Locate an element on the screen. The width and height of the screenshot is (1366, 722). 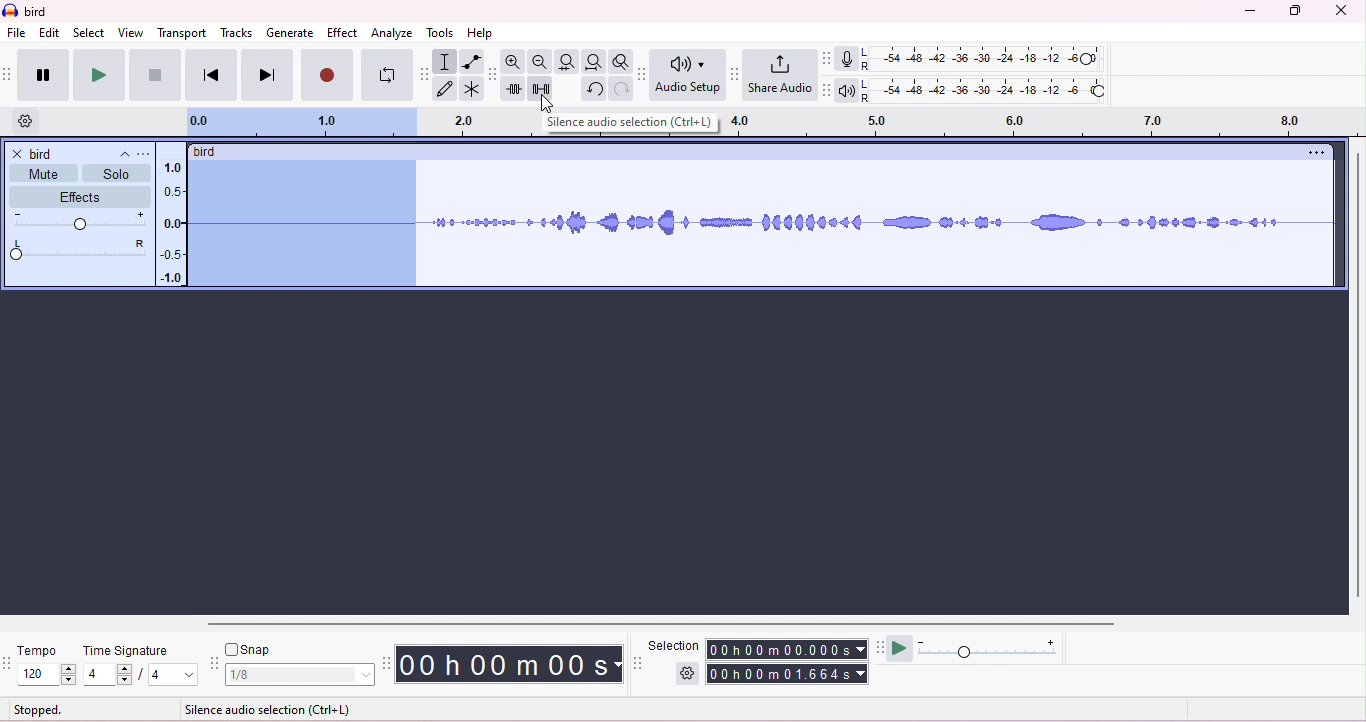
tempo is located at coordinates (44, 649).